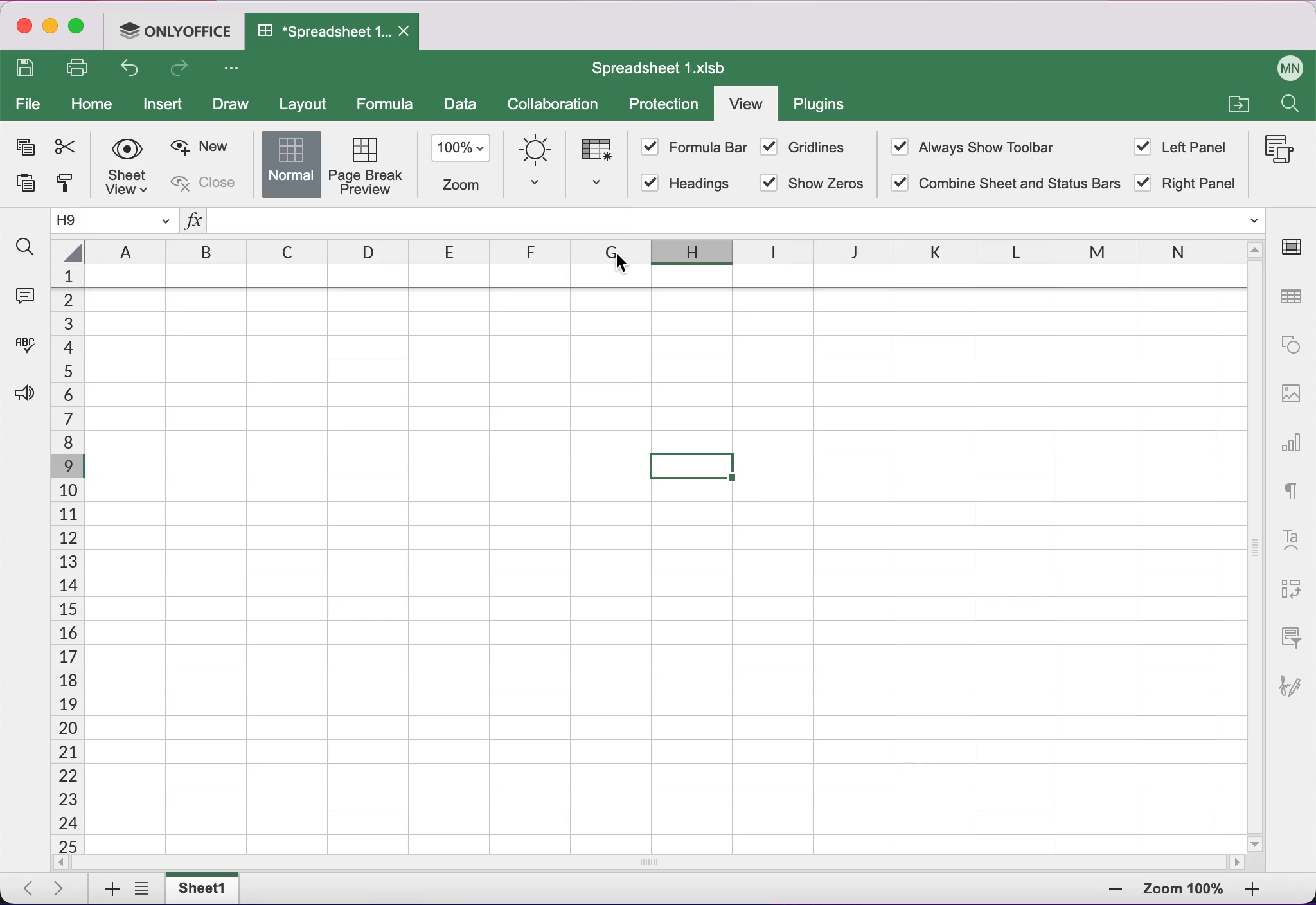 This screenshot has height=905, width=1316. What do you see at coordinates (826, 107) in the screenshot?
I see `plugins` at bounding box center [826, 107].